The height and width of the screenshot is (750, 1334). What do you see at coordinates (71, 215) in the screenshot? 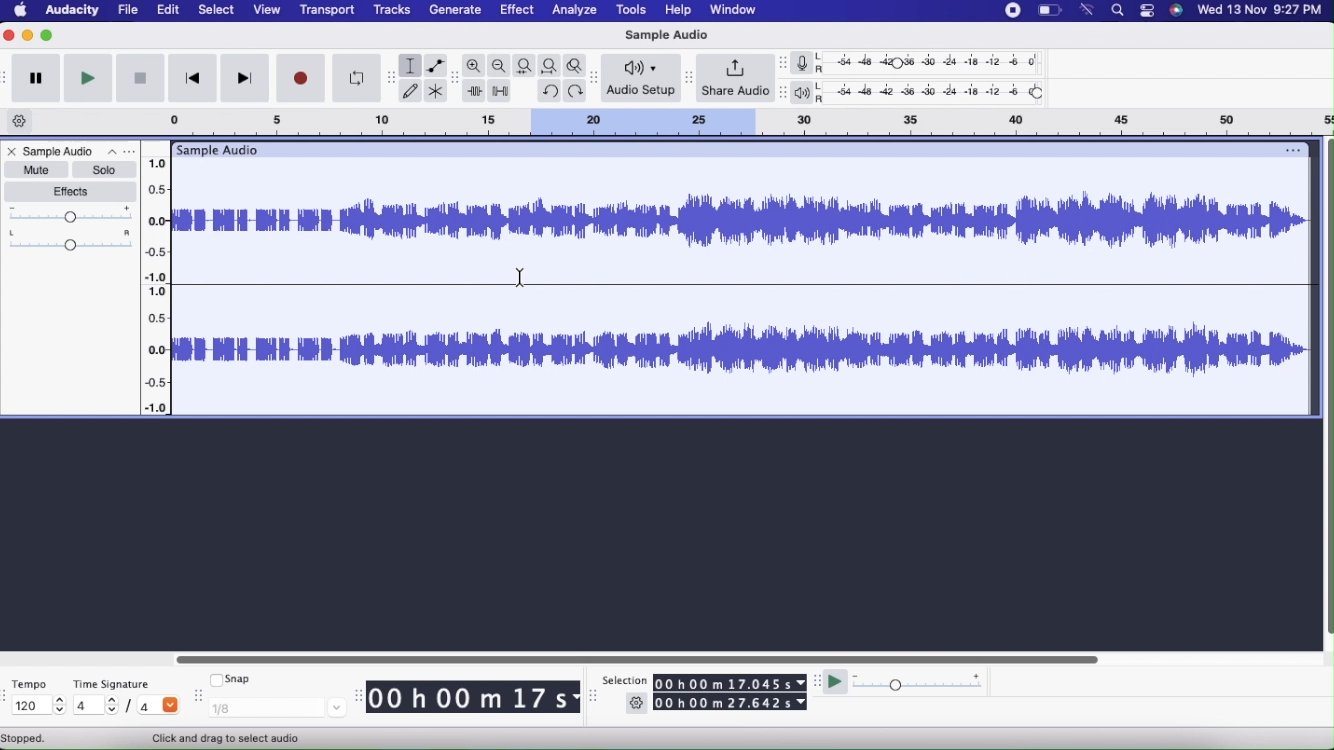
I see `Gain Slider` at bounding box center [71, 215].